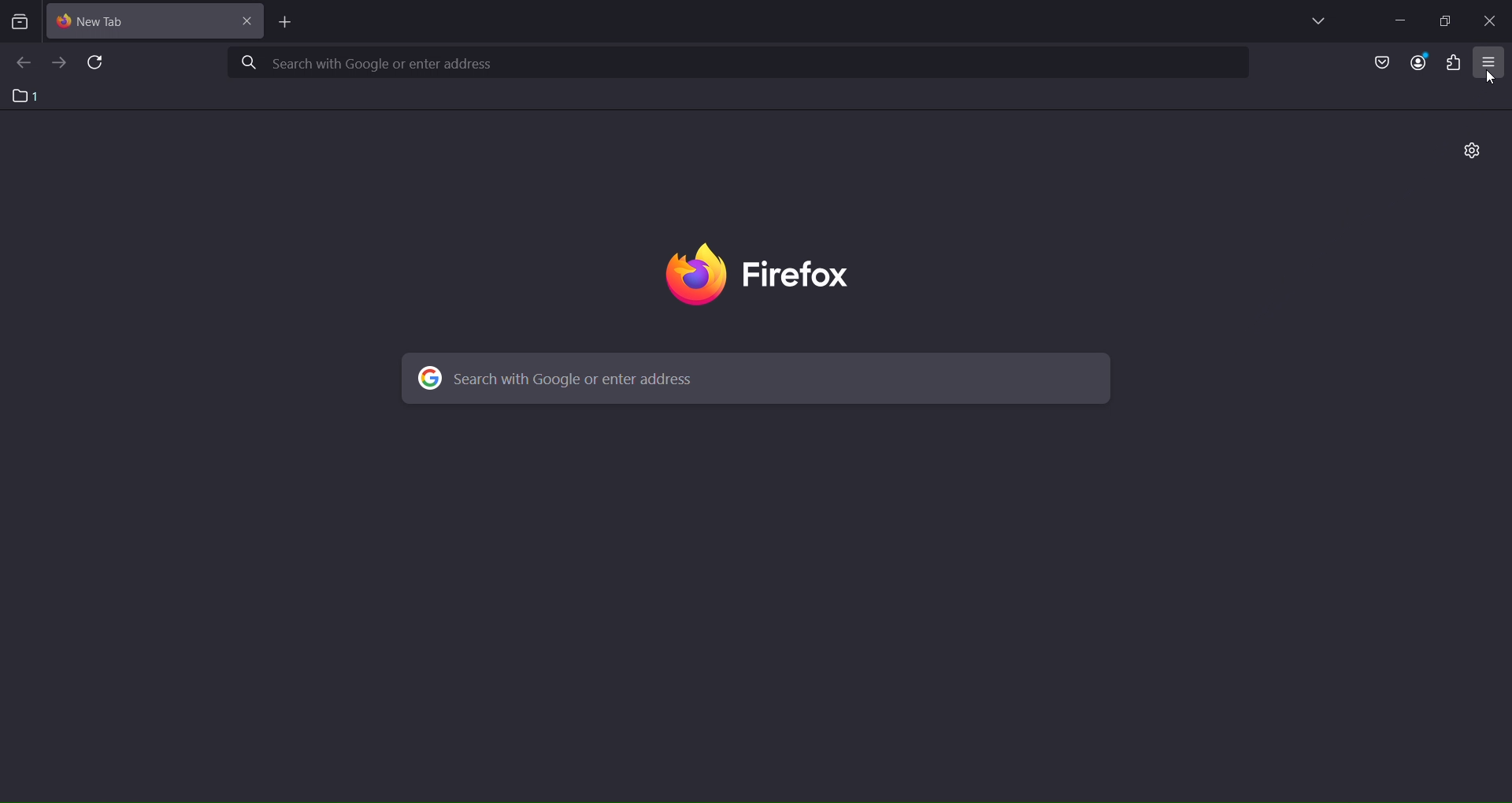  What do you see at coordinates (1488, 19) in the screenshot?
I see `close` at bounding box center [1488, 19].